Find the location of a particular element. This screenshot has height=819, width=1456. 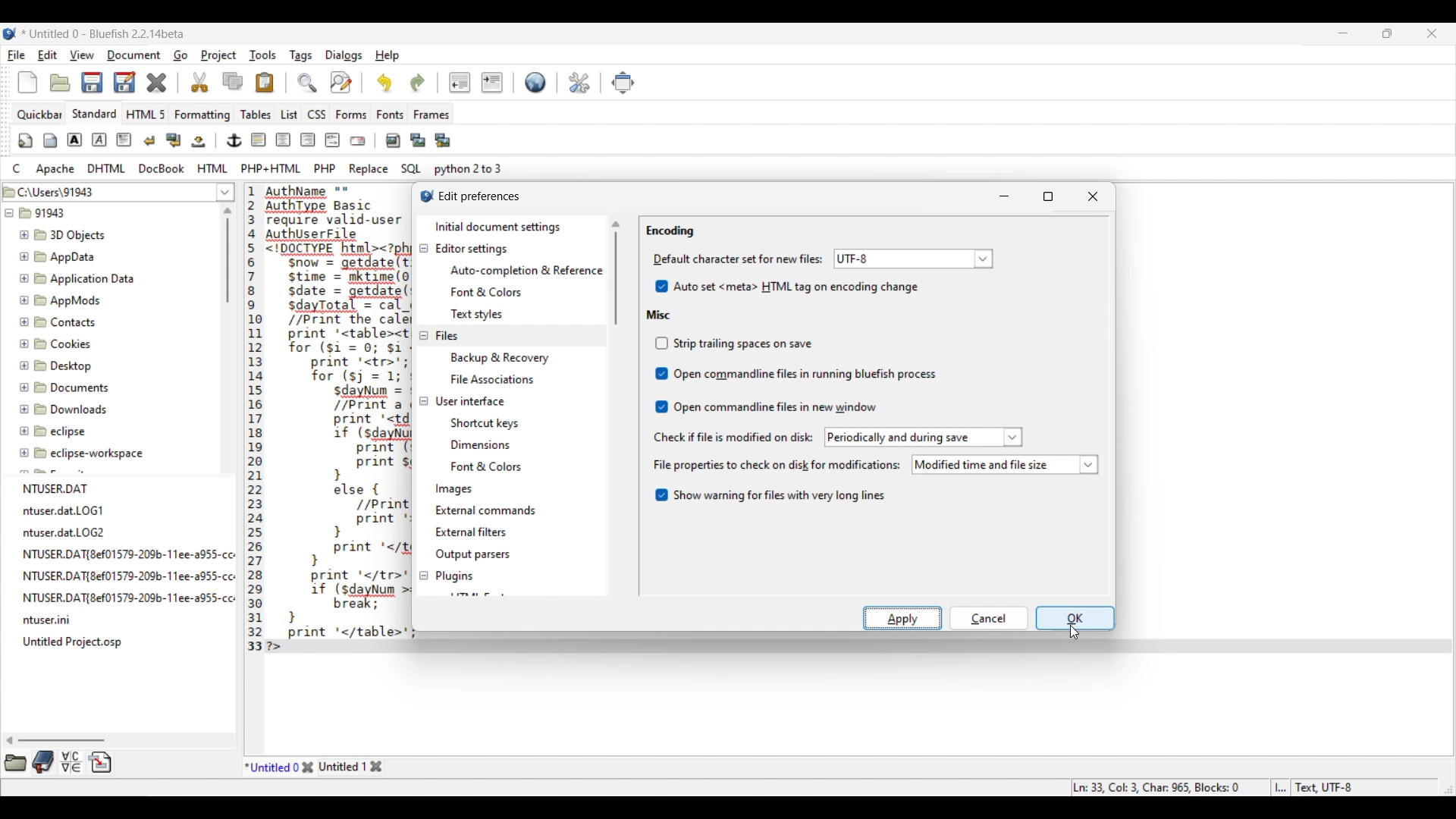

Files settings is located at coordinates (447, 336).